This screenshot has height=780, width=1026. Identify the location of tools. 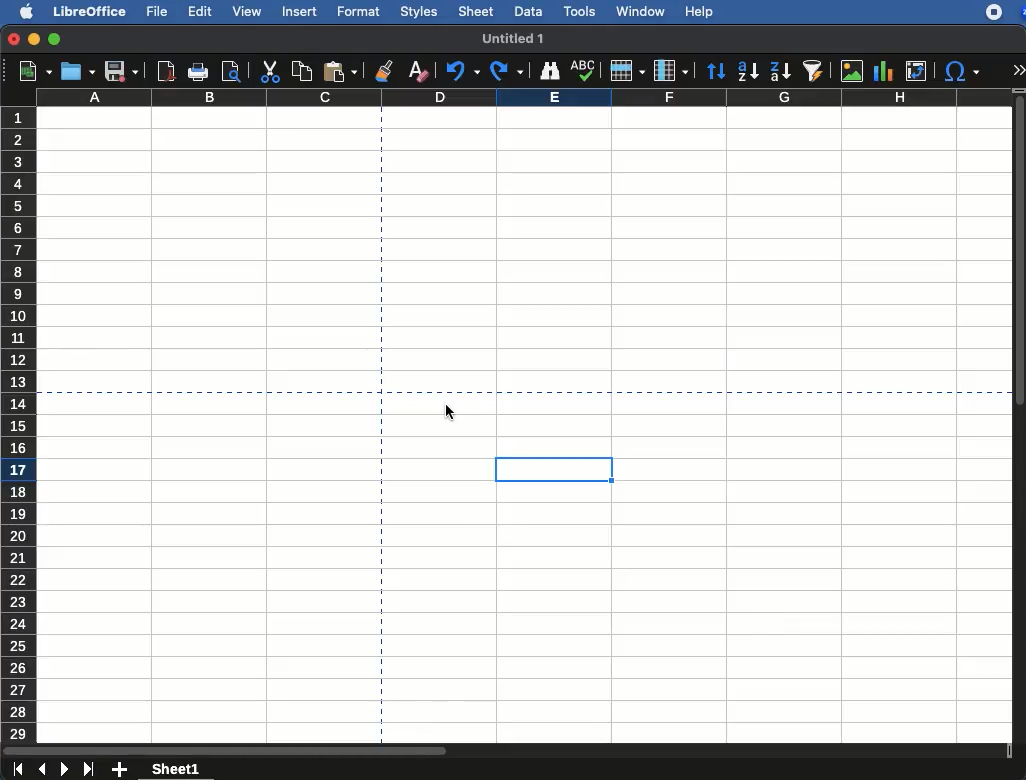
(580, 13).